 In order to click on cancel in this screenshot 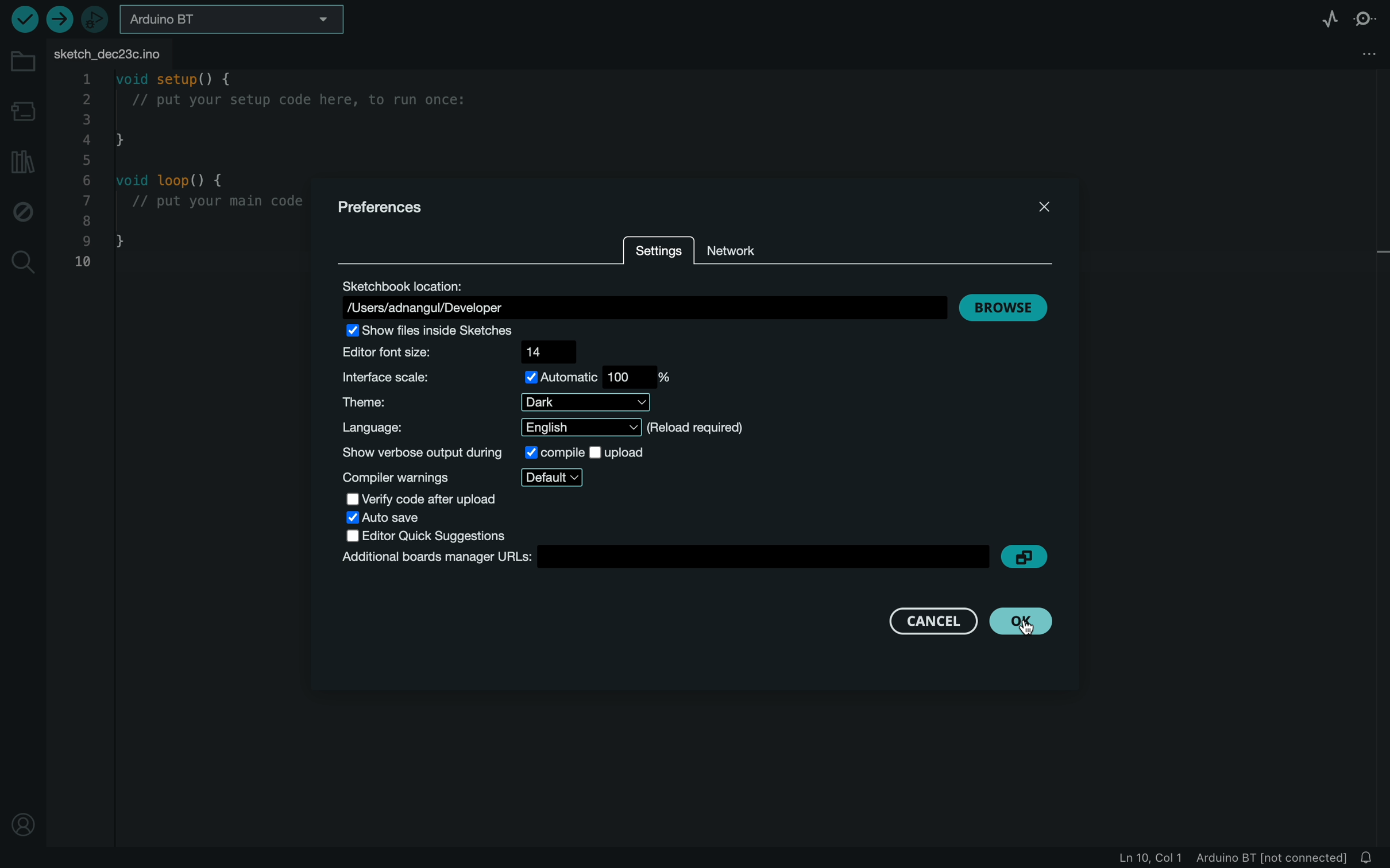, I will do `click(936, 621)`.